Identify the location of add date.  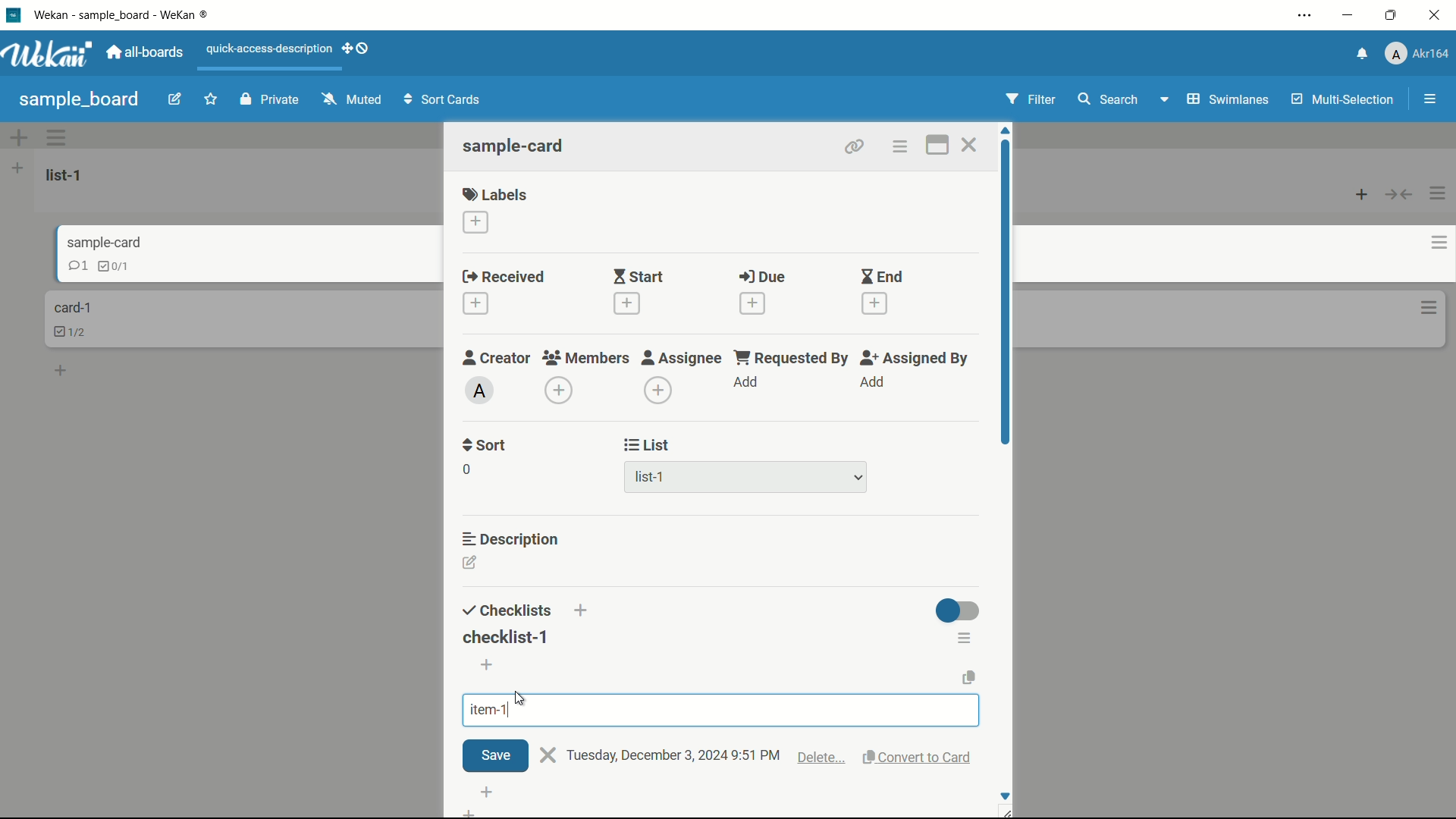
(754, 303).